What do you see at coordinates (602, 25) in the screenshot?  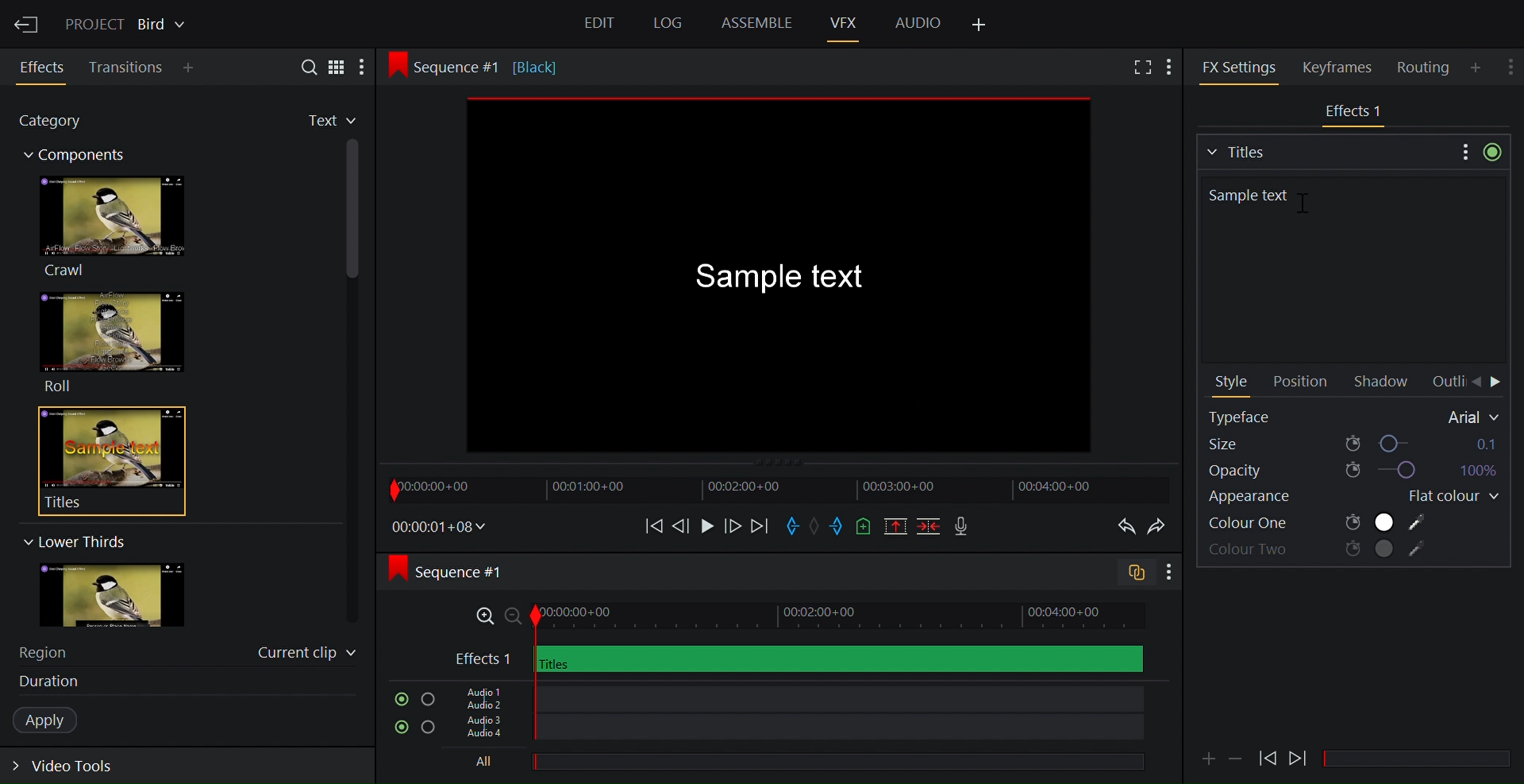 I see `Edit` at bounding box center [602, 25].